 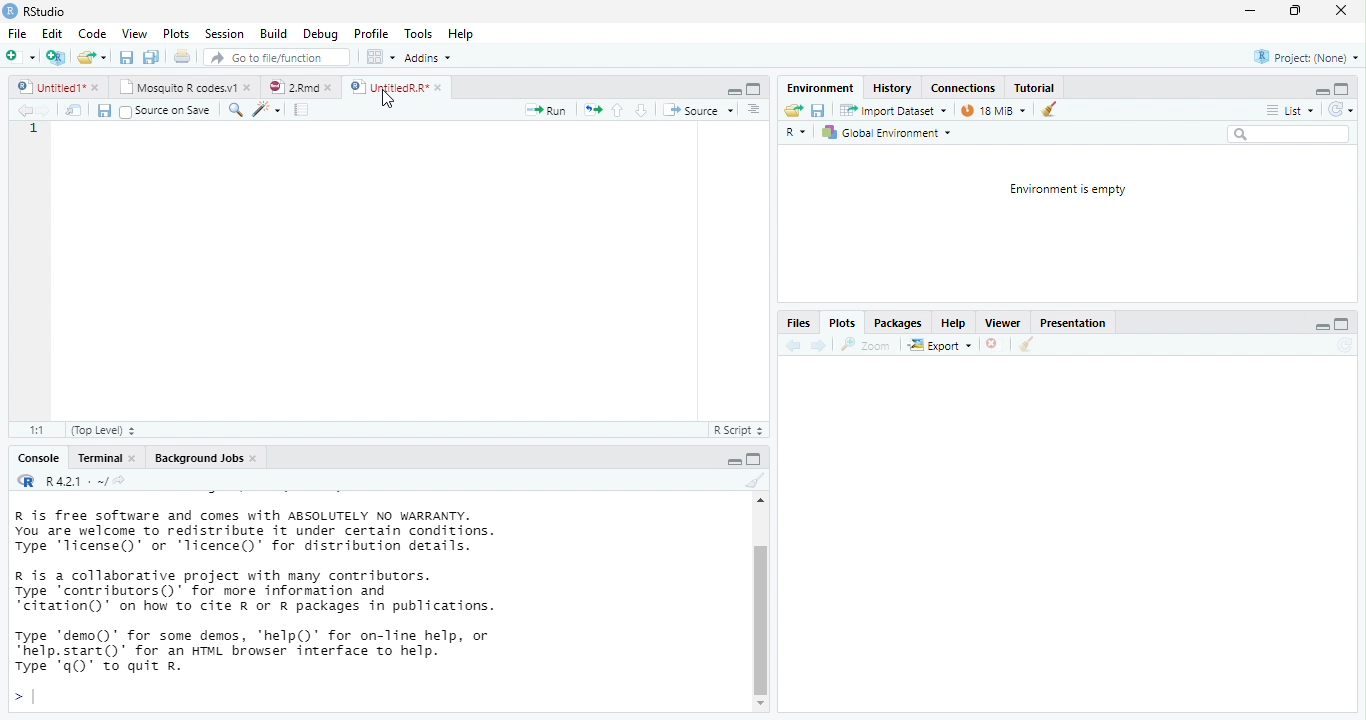 What do you see at coordinates (98, 431) in the screenshot?
I see `(Top Level)` at bounding box center [98, 431].